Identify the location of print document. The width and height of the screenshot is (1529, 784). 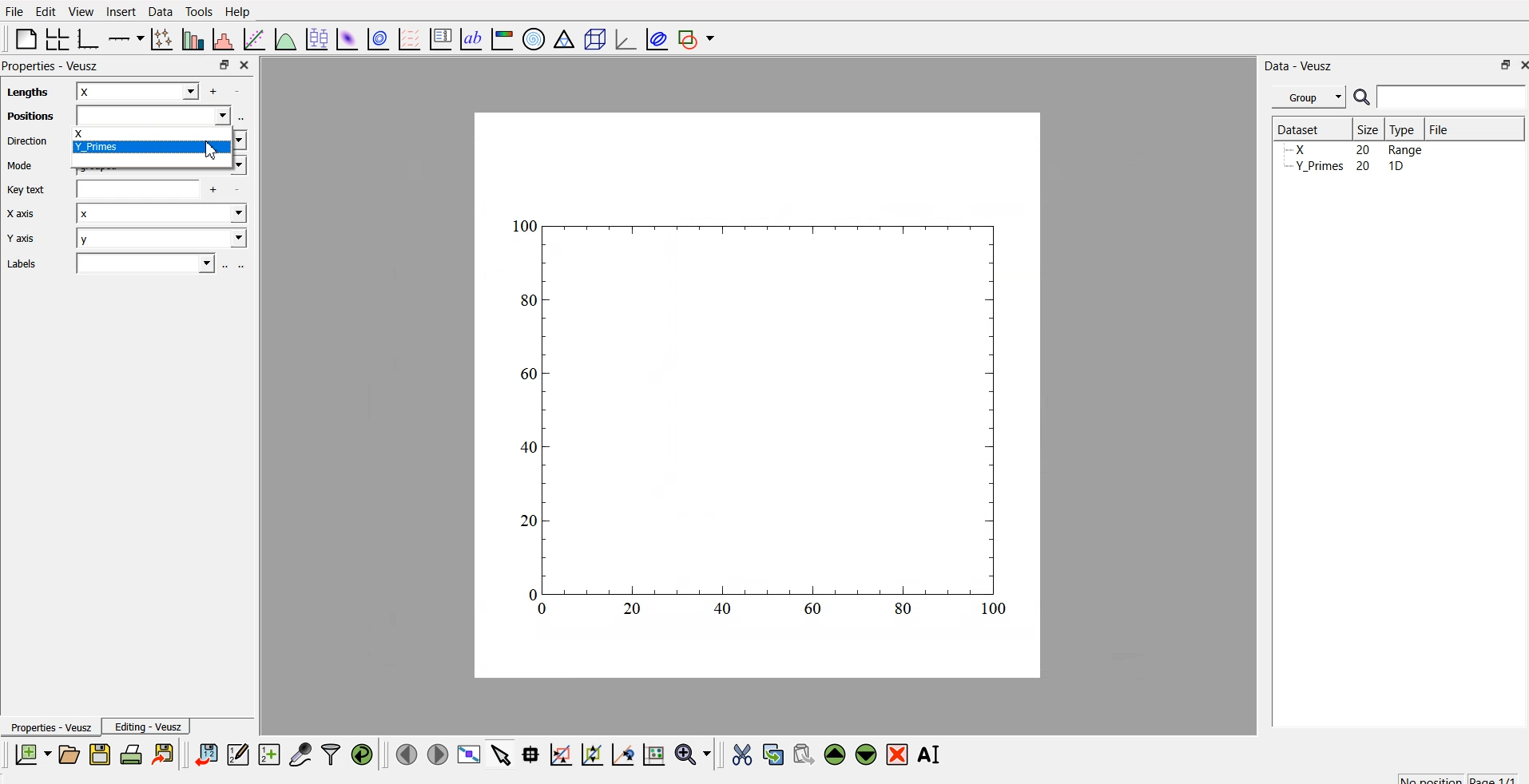
(133, 755).